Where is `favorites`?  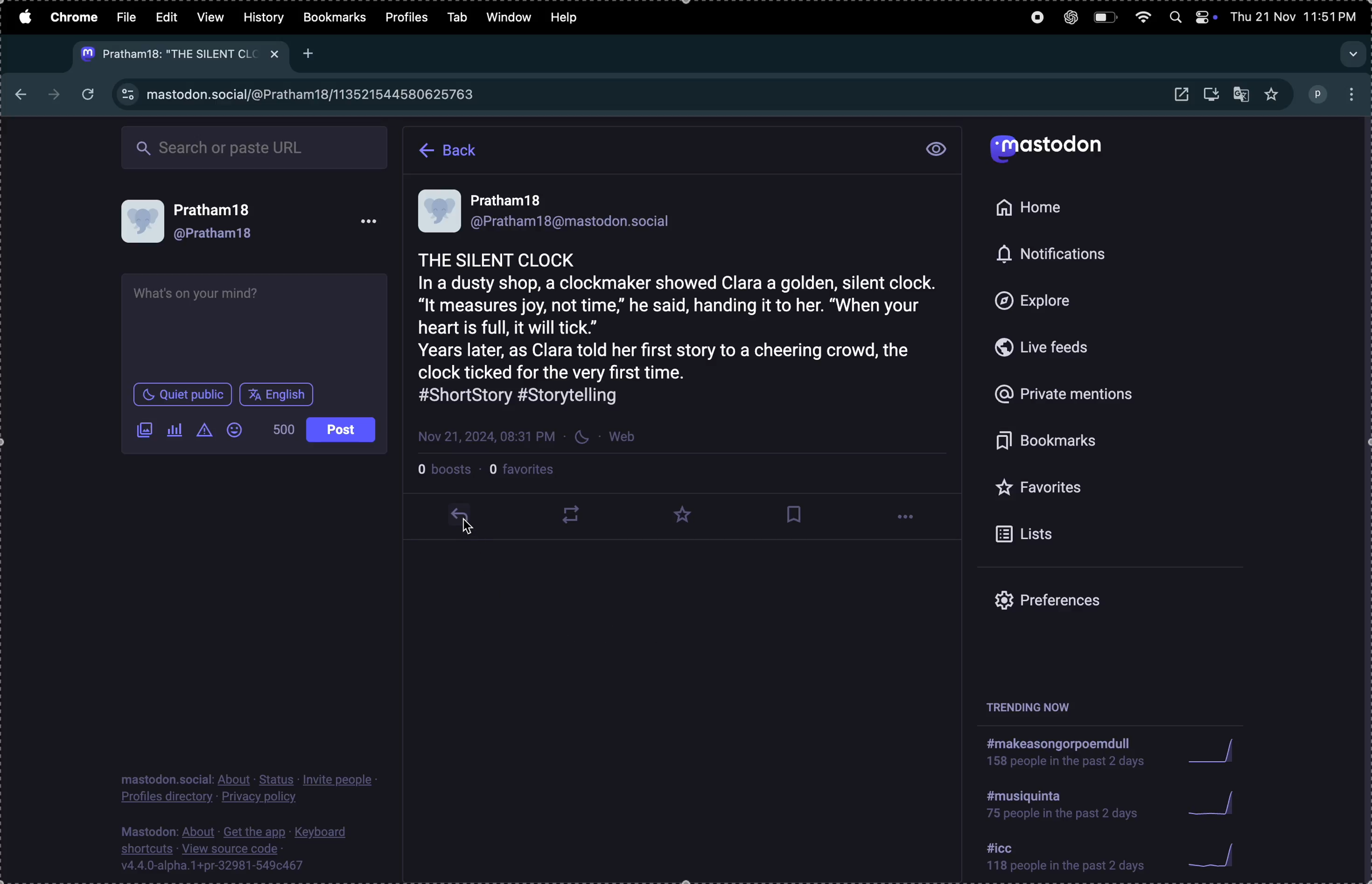 favorites is located at coordinates (687, 514).